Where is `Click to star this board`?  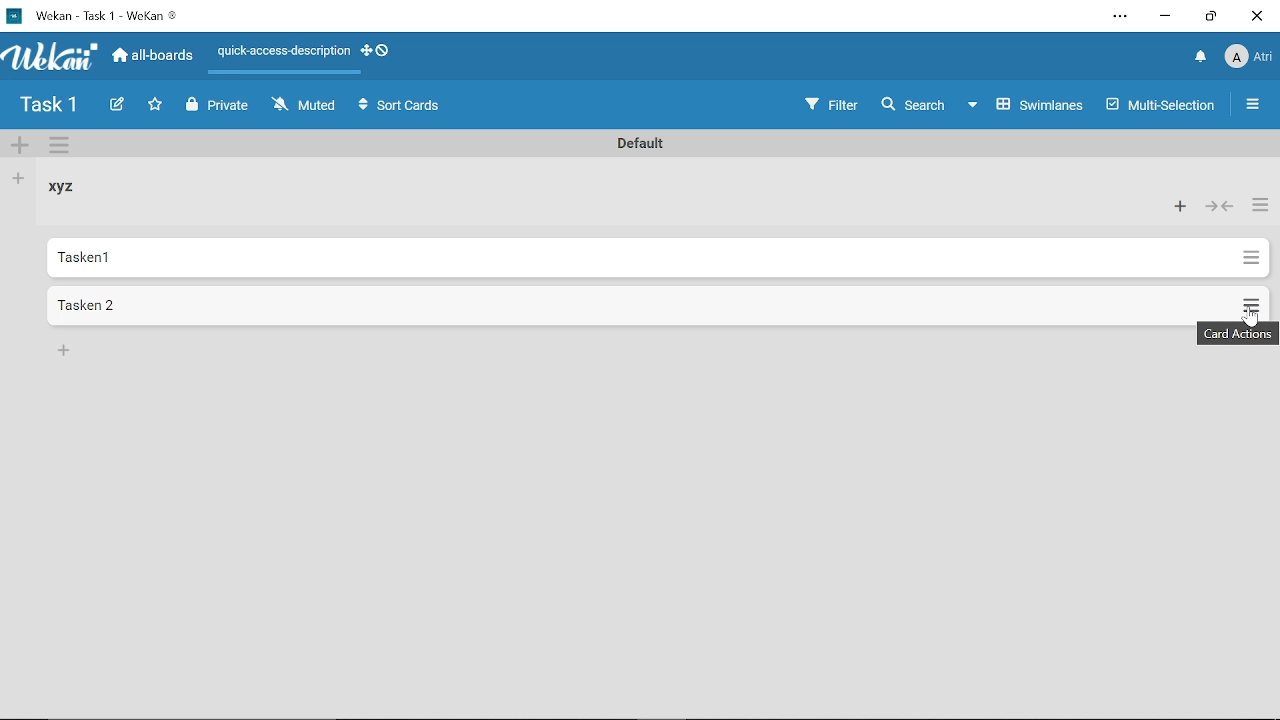
Click to star this board is located at coordinates (157, 106).